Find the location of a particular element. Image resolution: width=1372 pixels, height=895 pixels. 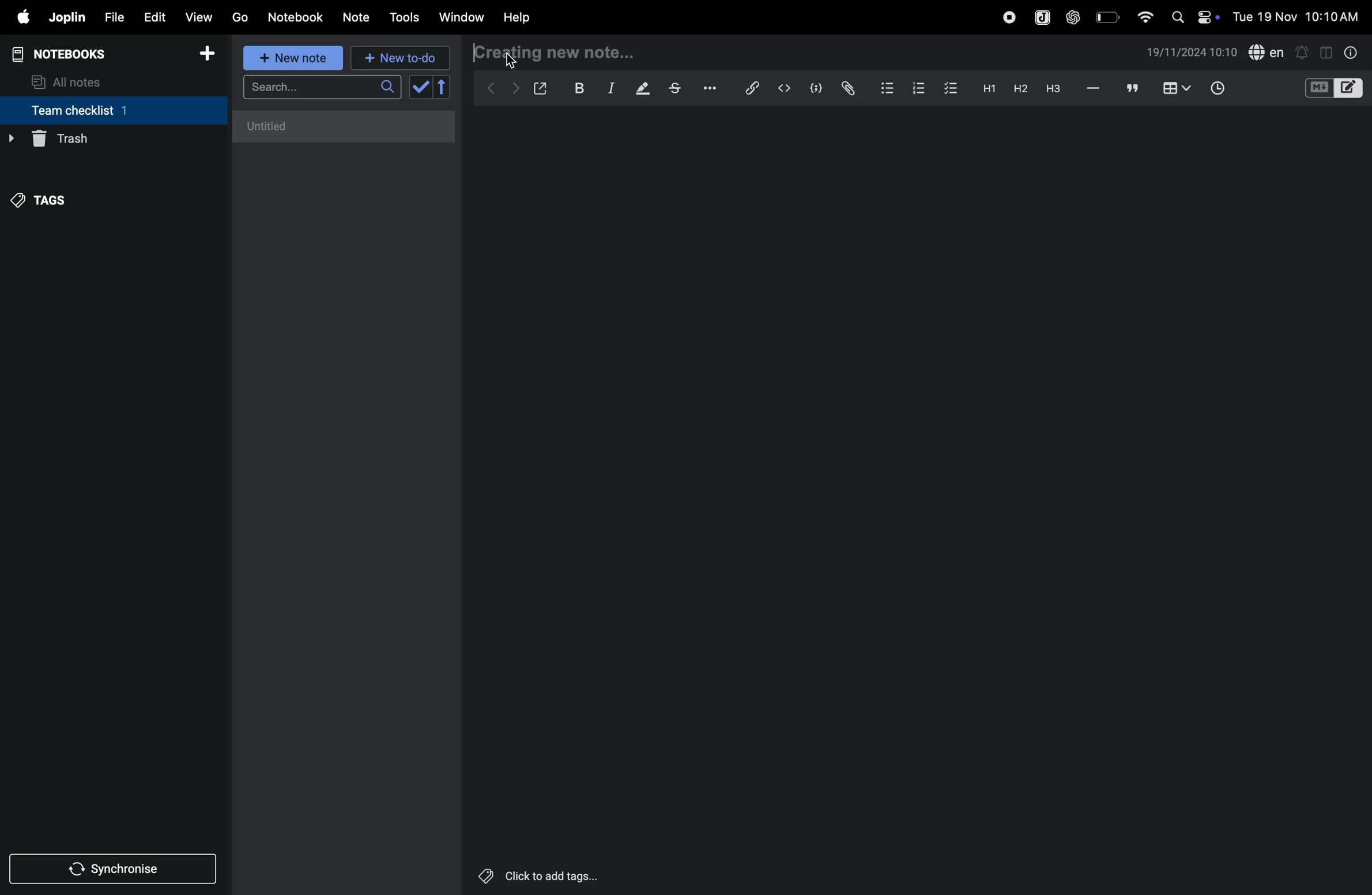

backward is located at coordinates (485, 88).